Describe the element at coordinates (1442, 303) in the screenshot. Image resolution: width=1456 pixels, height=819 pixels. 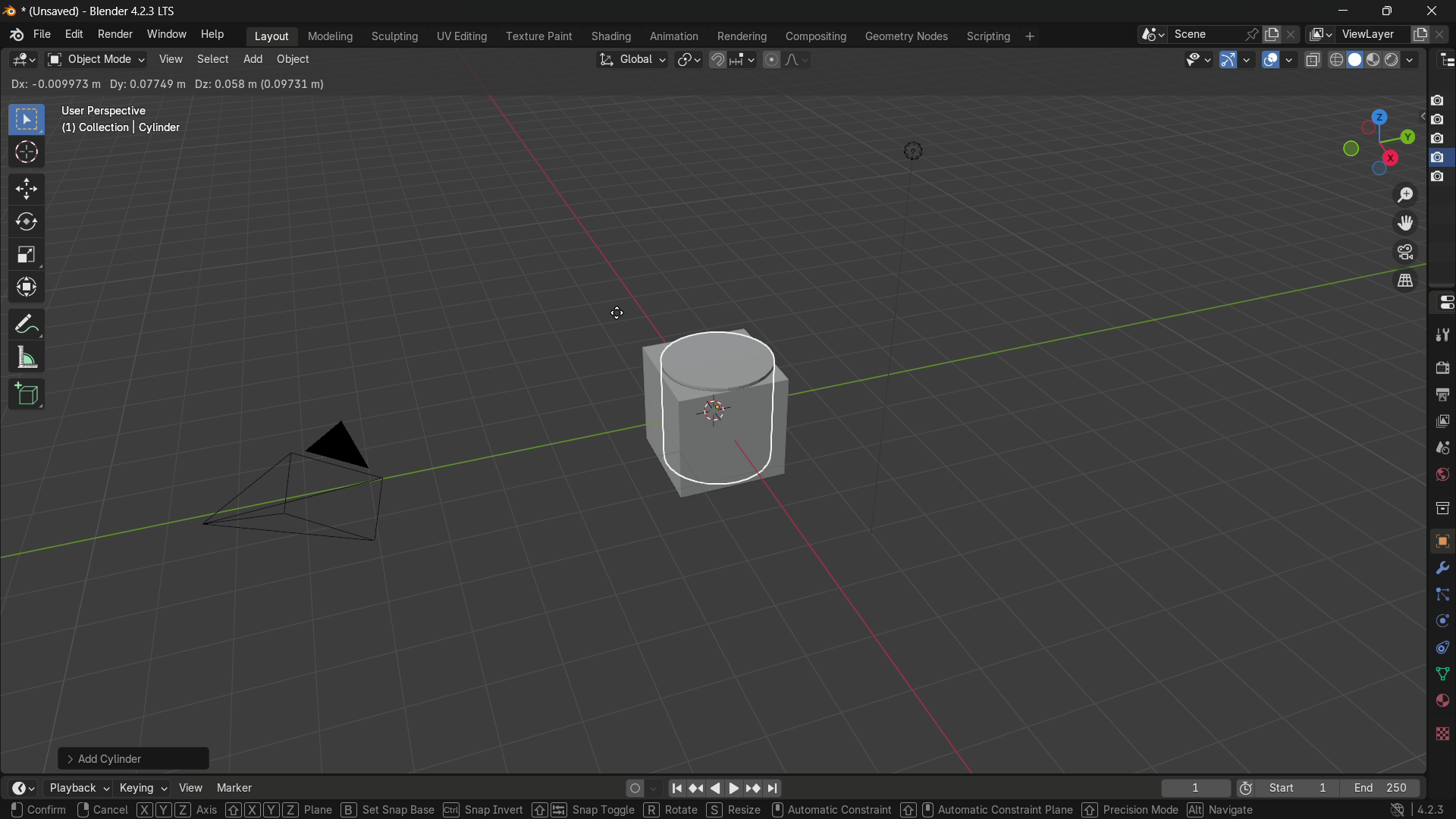
I see `properties` at that location.